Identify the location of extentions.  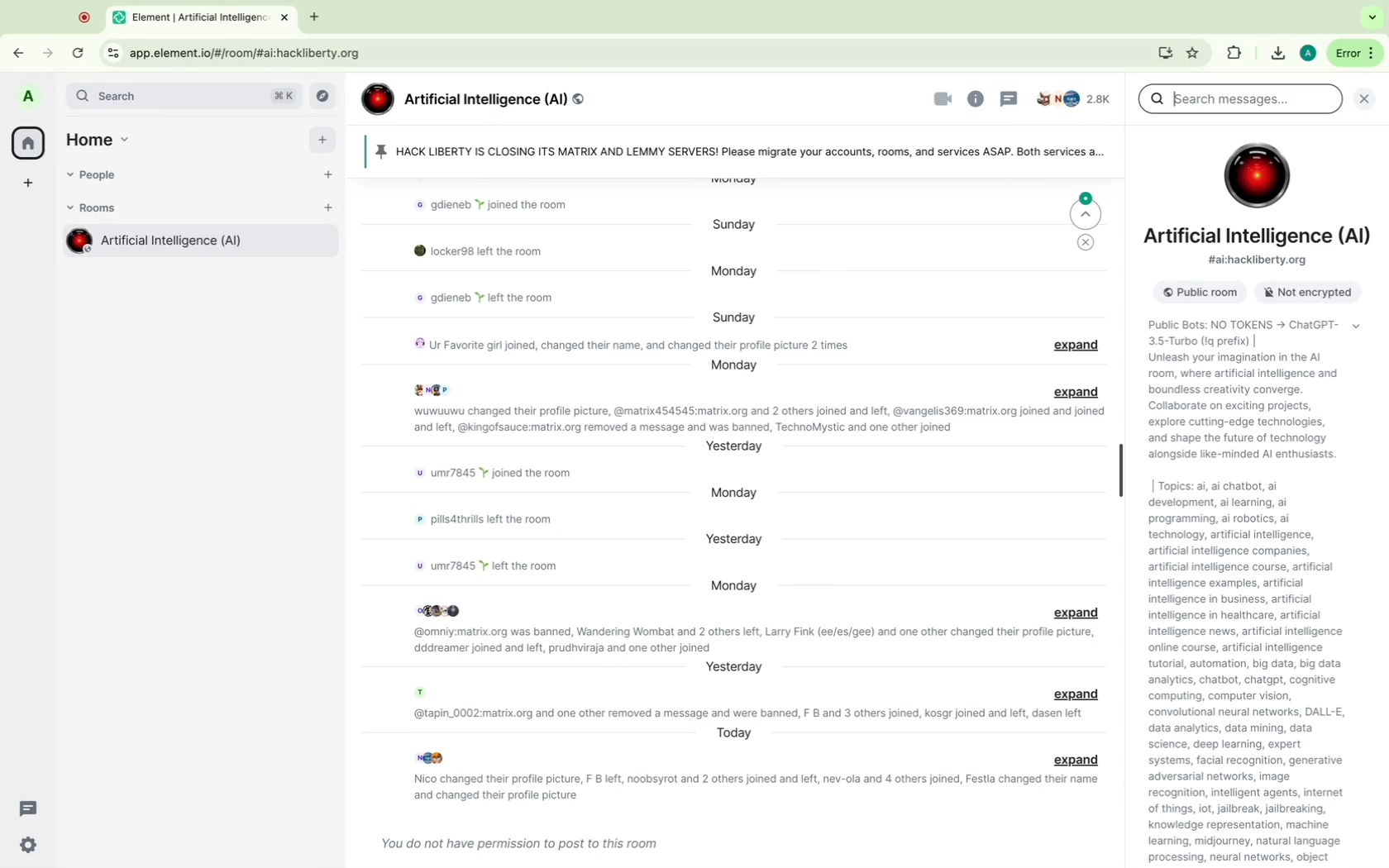
(1194, 53).